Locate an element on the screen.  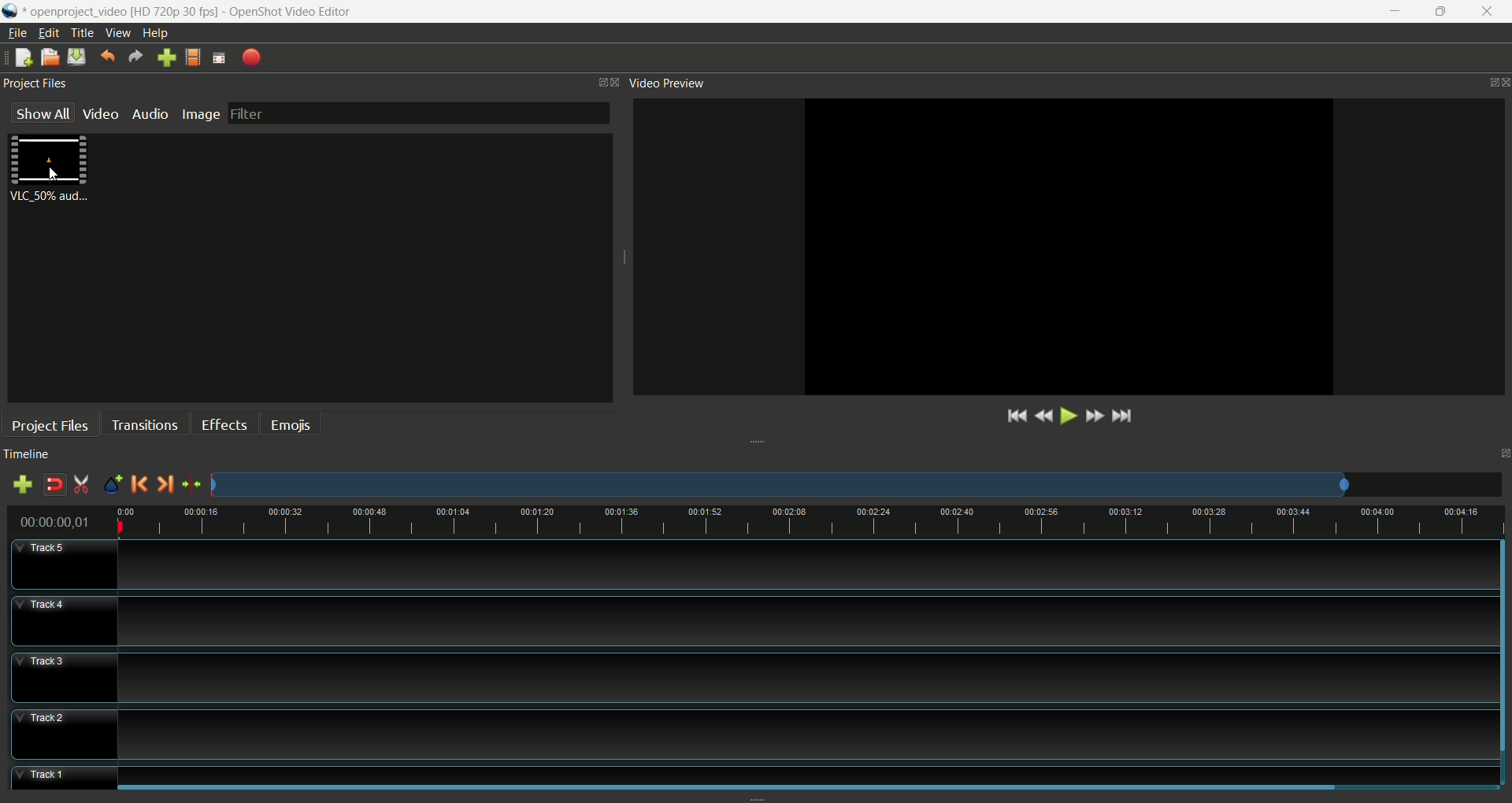
view is located at coordinates (118, 33).